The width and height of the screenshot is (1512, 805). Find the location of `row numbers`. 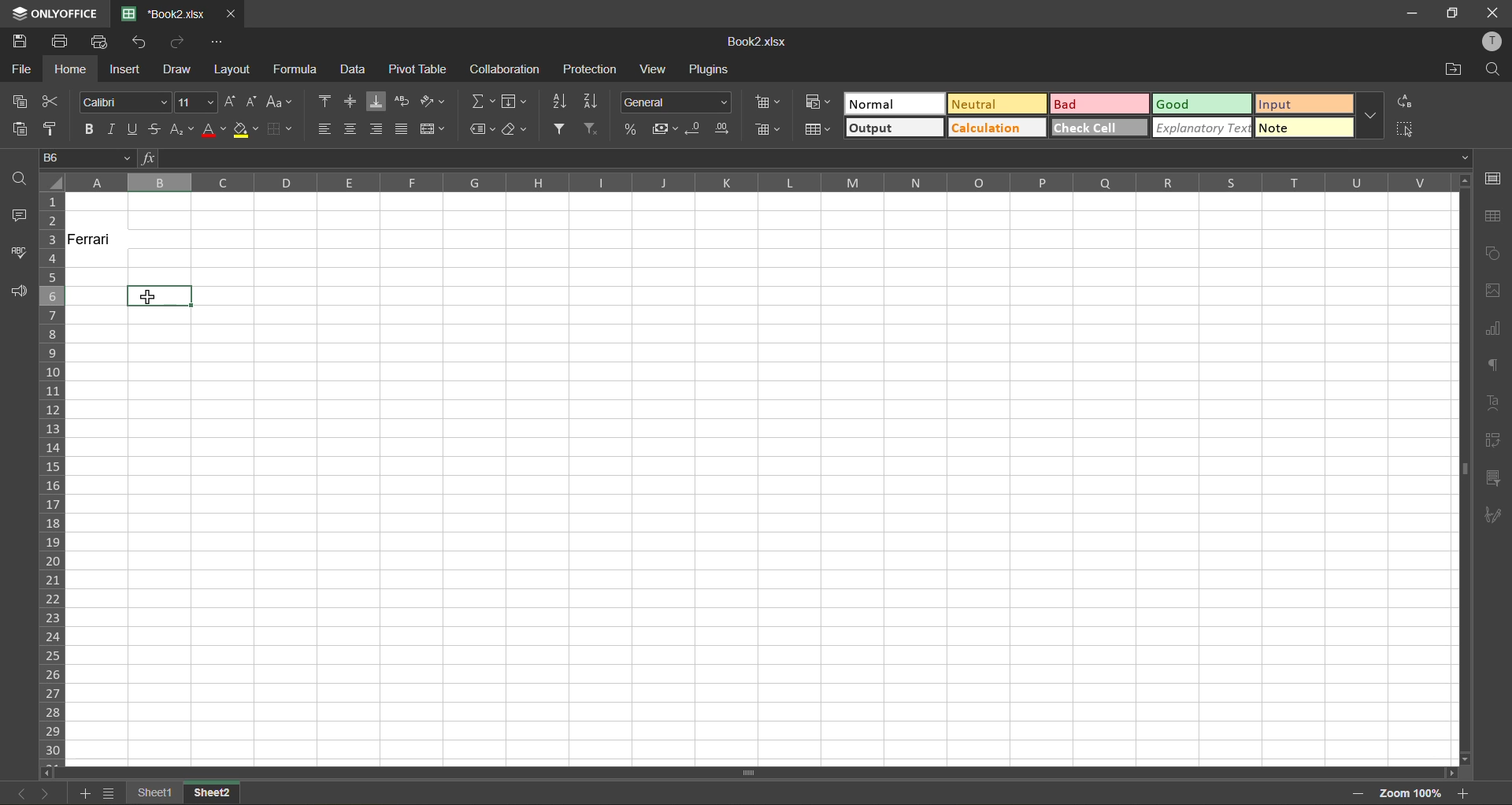

row numbers is located at coordinates (52, 480).